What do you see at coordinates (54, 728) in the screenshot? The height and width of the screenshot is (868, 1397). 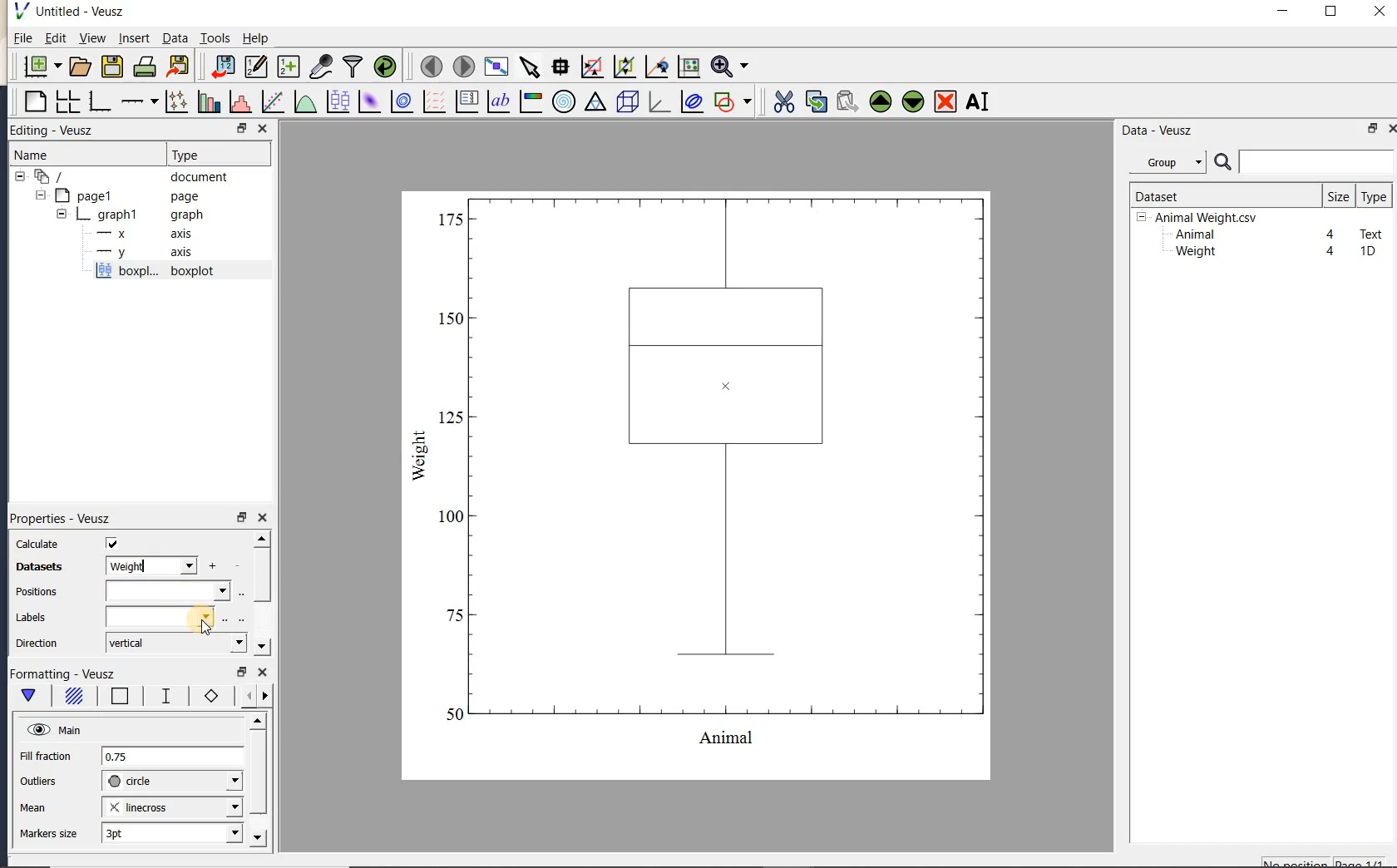 I see `Main` at bounding box center [54, 728].